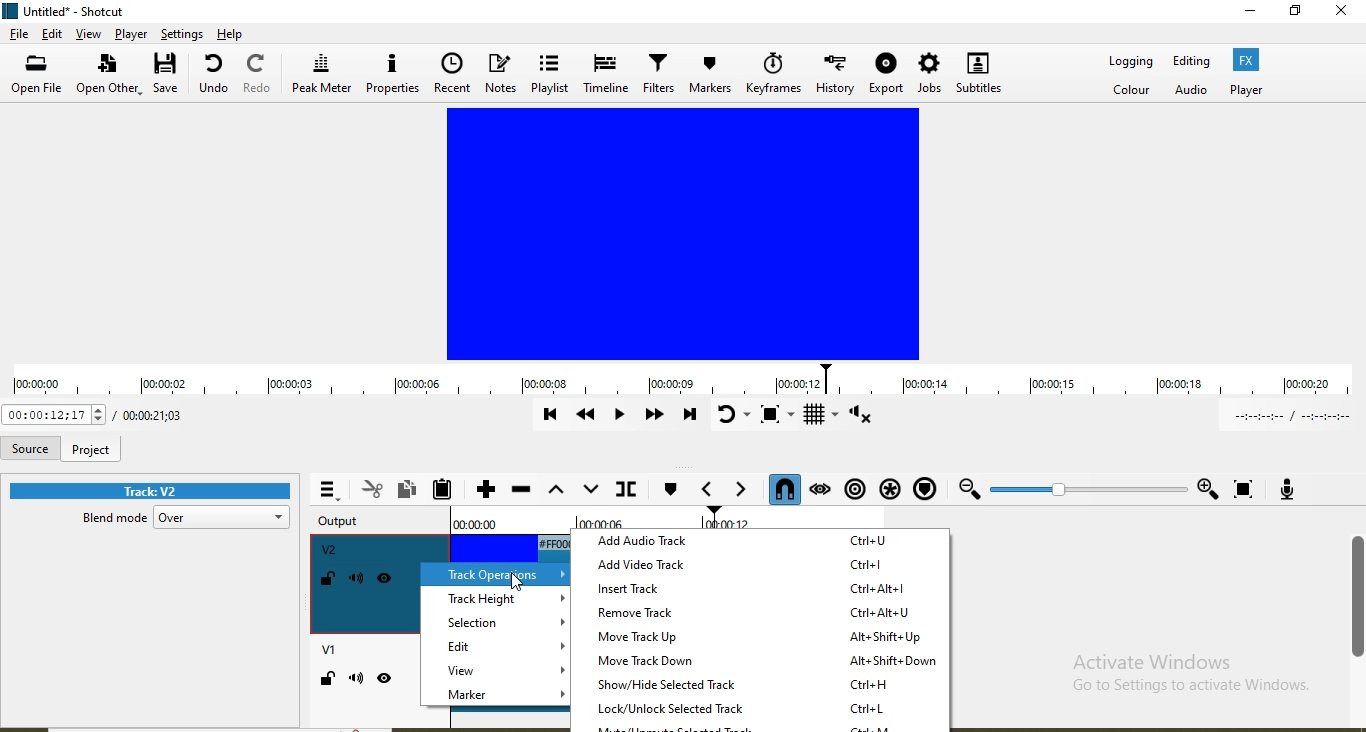  What do you see at coordinates (630, 487) in the screenshot?
I see `Split at playhead` at bounding box center [630, 487].